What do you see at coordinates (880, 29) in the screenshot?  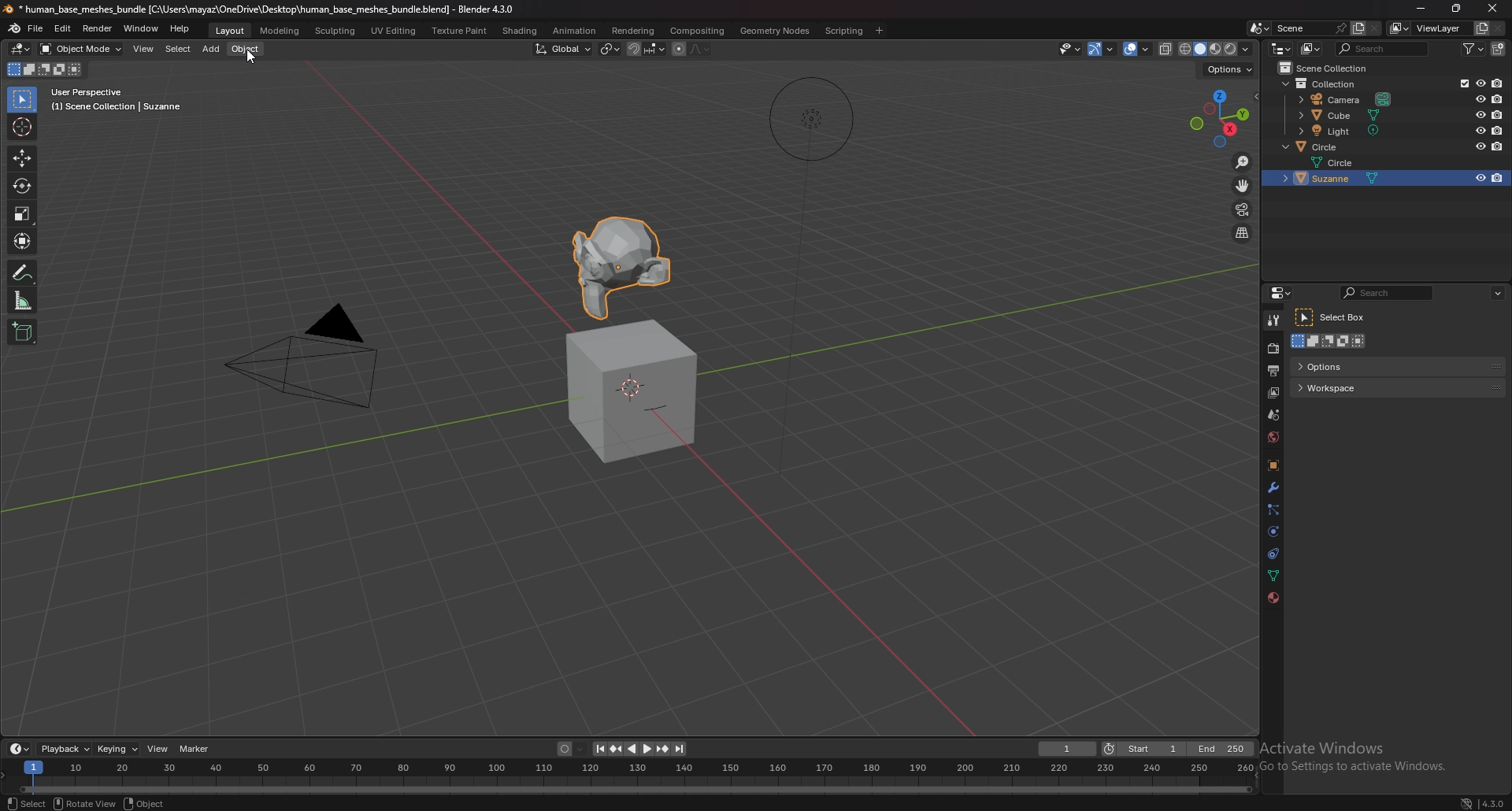 I see `add workspace` at bounding box center [880, 29].